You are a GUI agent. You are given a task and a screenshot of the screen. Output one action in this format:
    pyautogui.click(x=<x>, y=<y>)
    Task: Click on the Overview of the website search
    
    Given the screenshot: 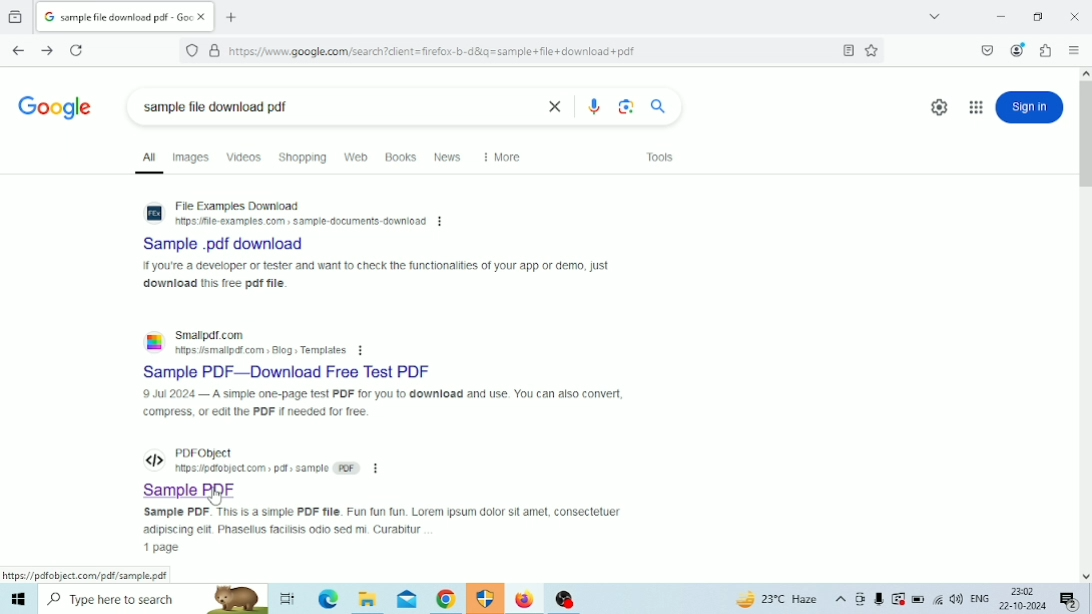 What is the action you would take?
    pyautogui.click(x=384, y=404)
    